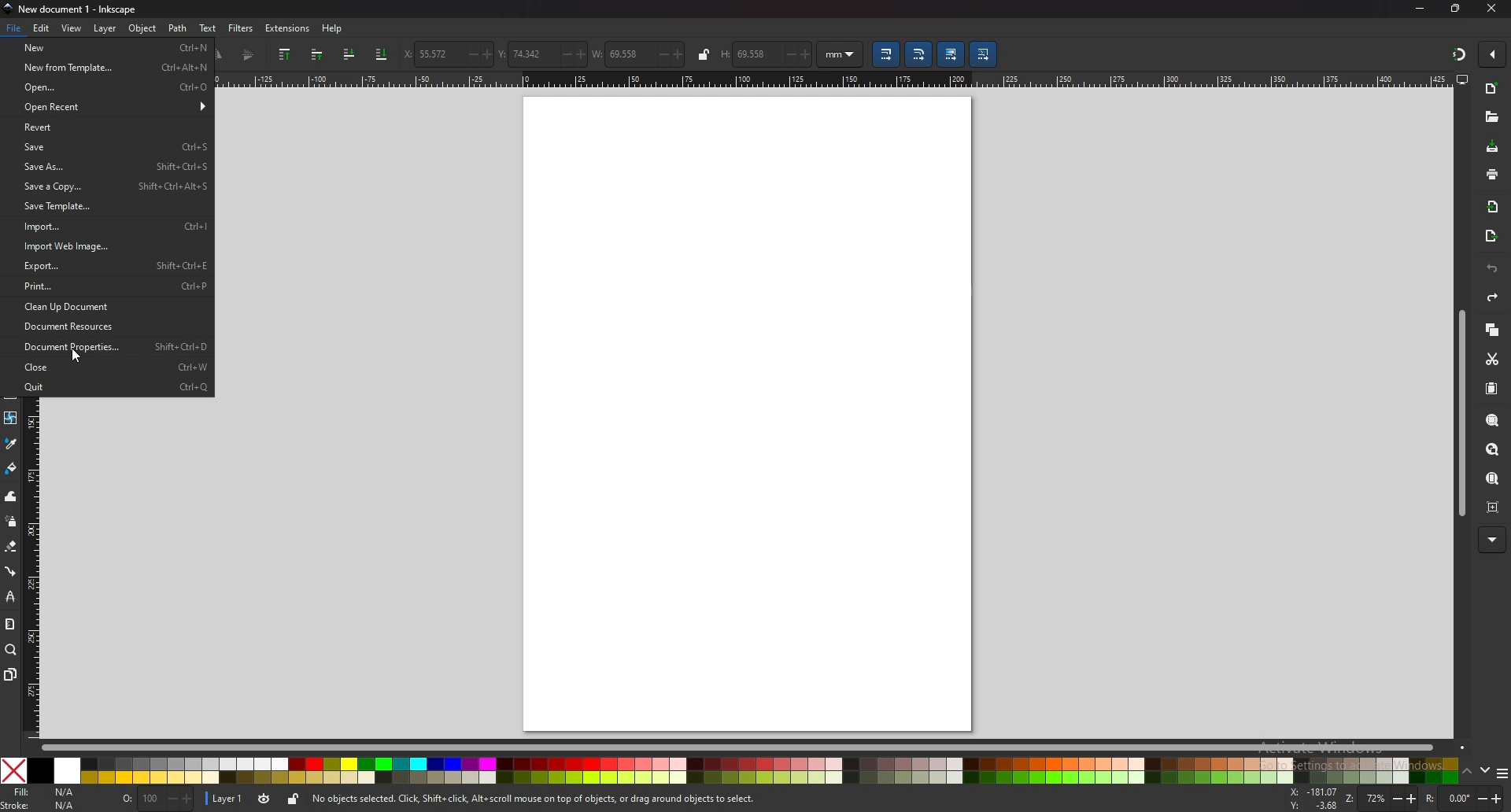 This screenshot has height=812, width=1511. I want to click on new, so click(112, 47).